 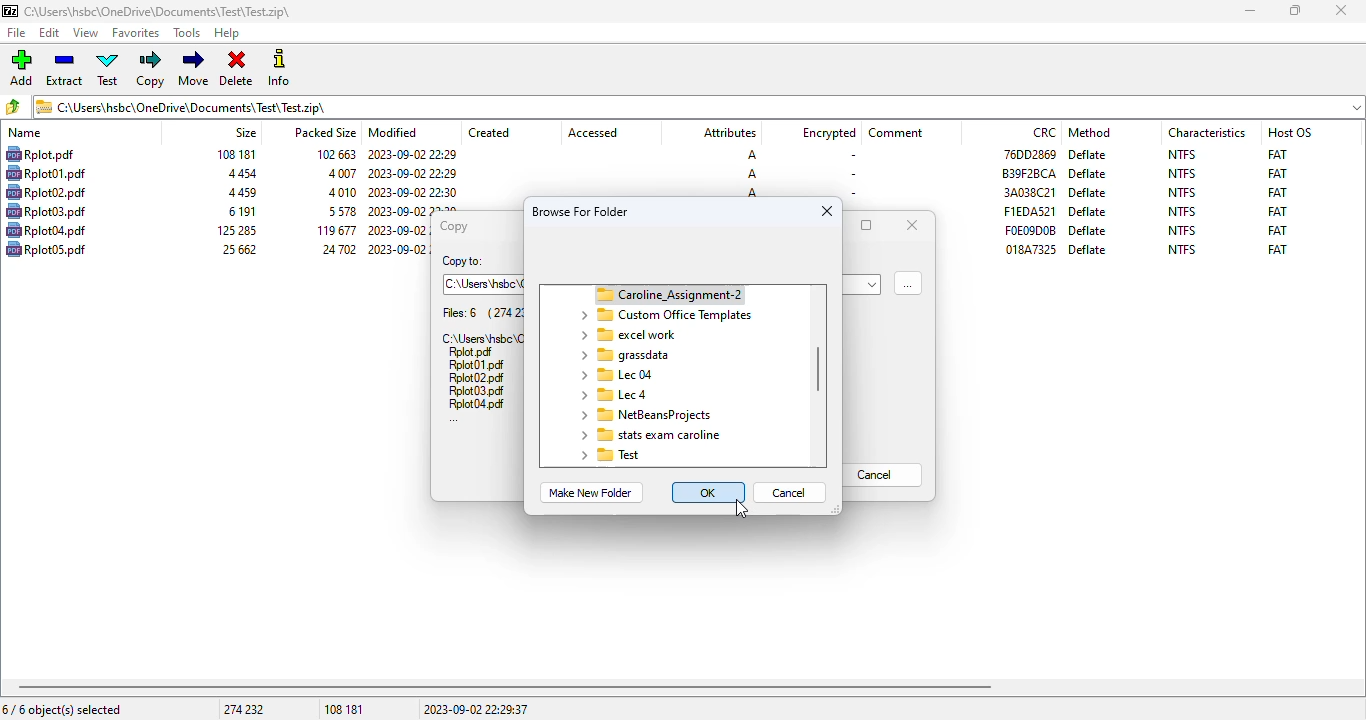 What do you see at coordinates (240, 211) in the screenshot?
I see `size` at bounding box center [240, 211].